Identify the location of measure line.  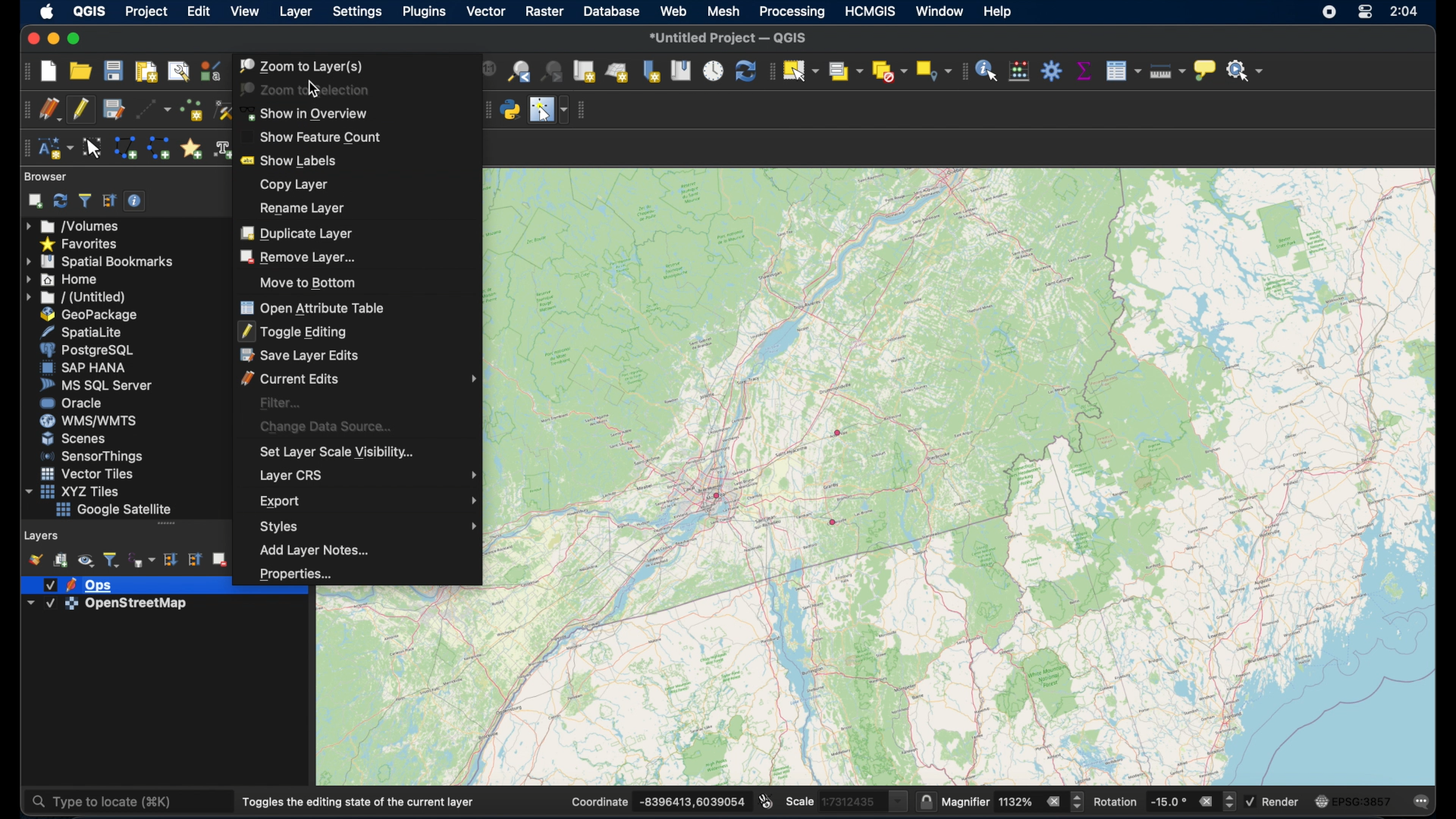
(1167, 71).